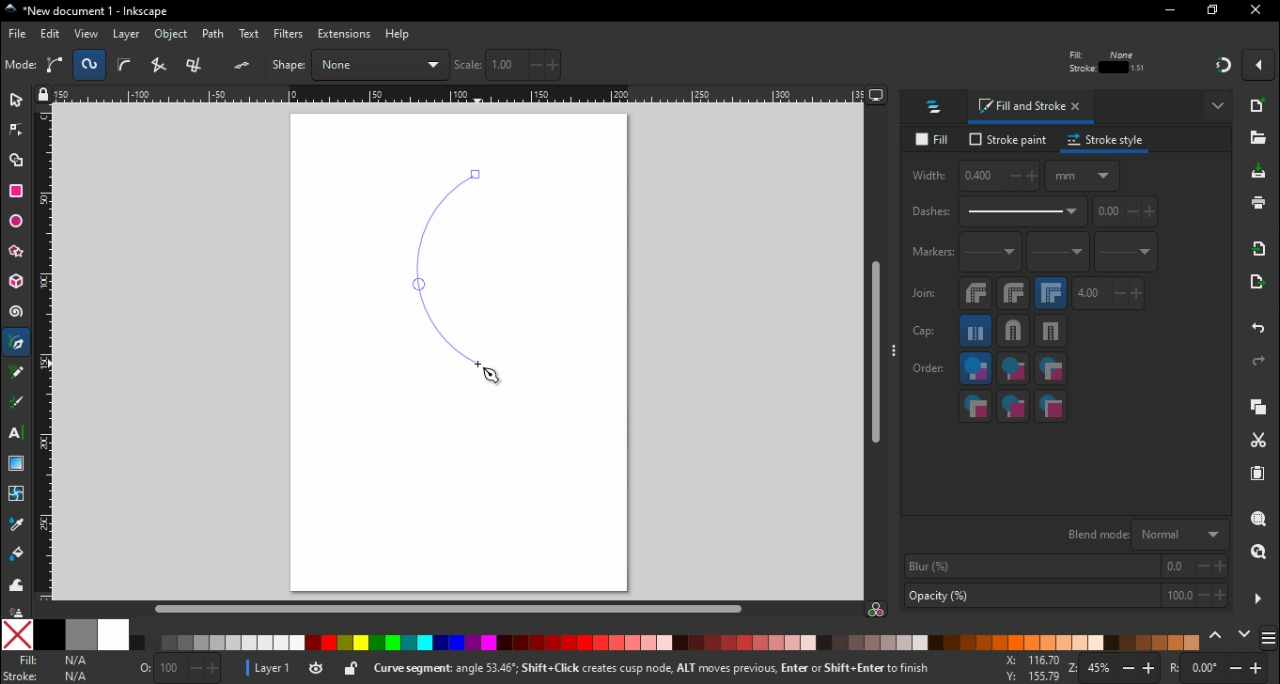 The height and width of the screenshot is (684, 1280). I want to click on opacity, so click(179, 666).